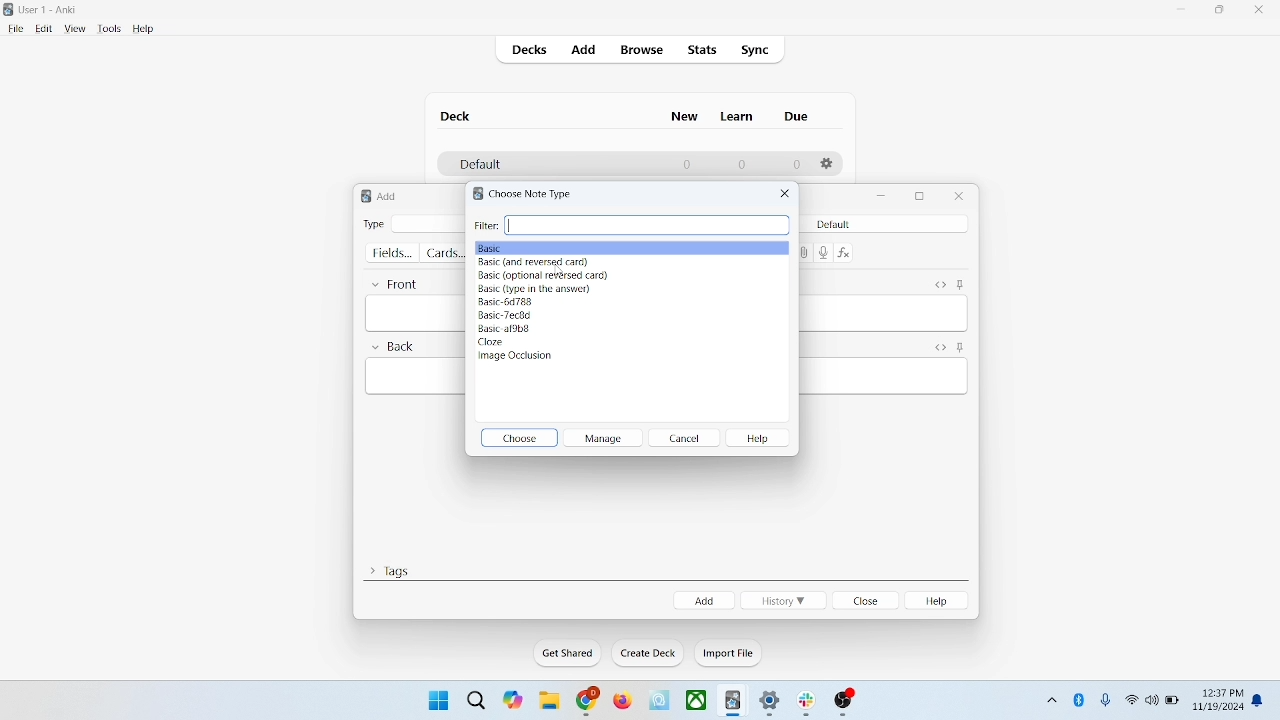 This screenshot has height=720, width=1280. I want to click on sync, so click(756, 51).